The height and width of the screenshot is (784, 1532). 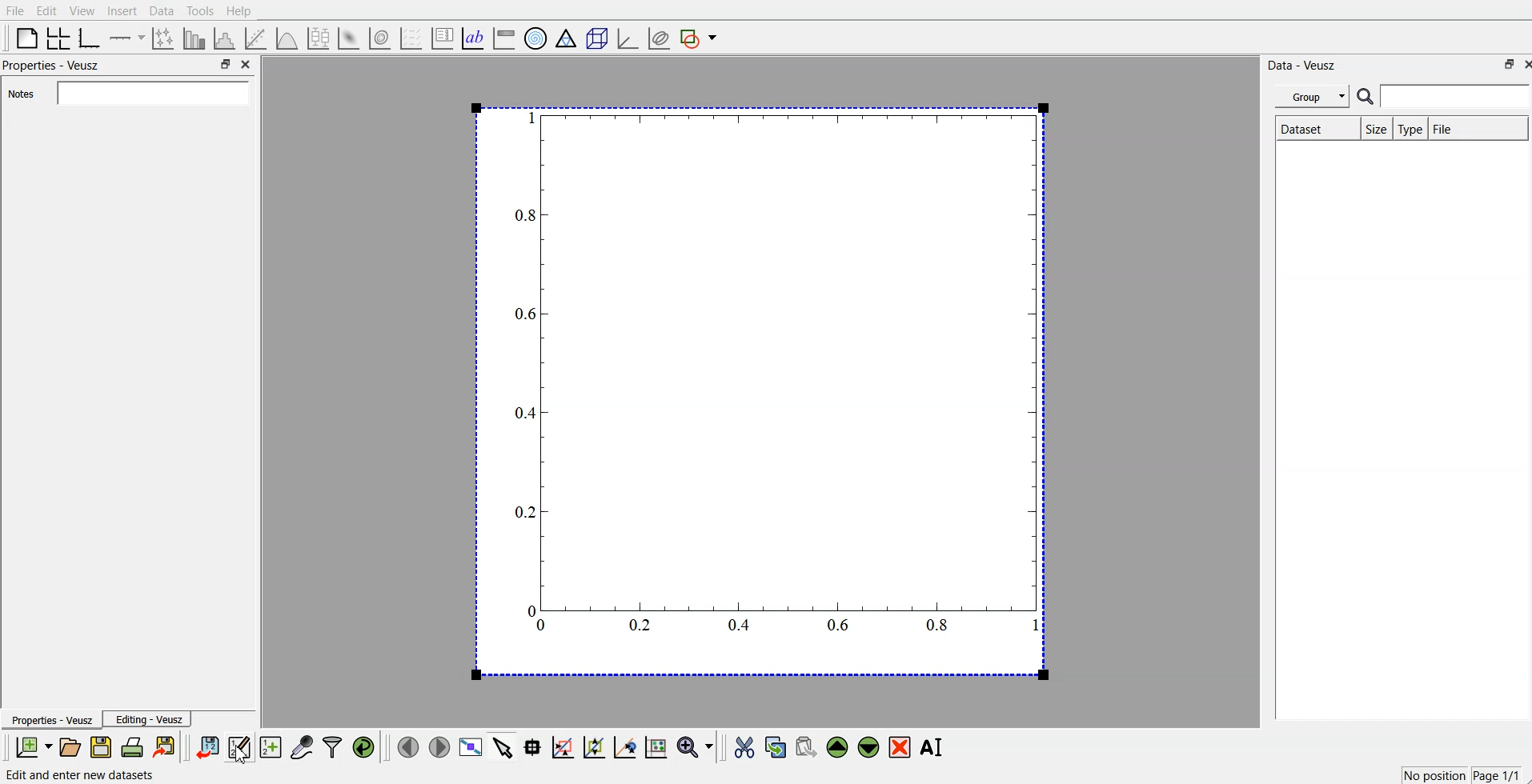 What do you see at coordinates (1410, 128) in the screenshot?
I see `Type` at bounding box center [1410, 128].